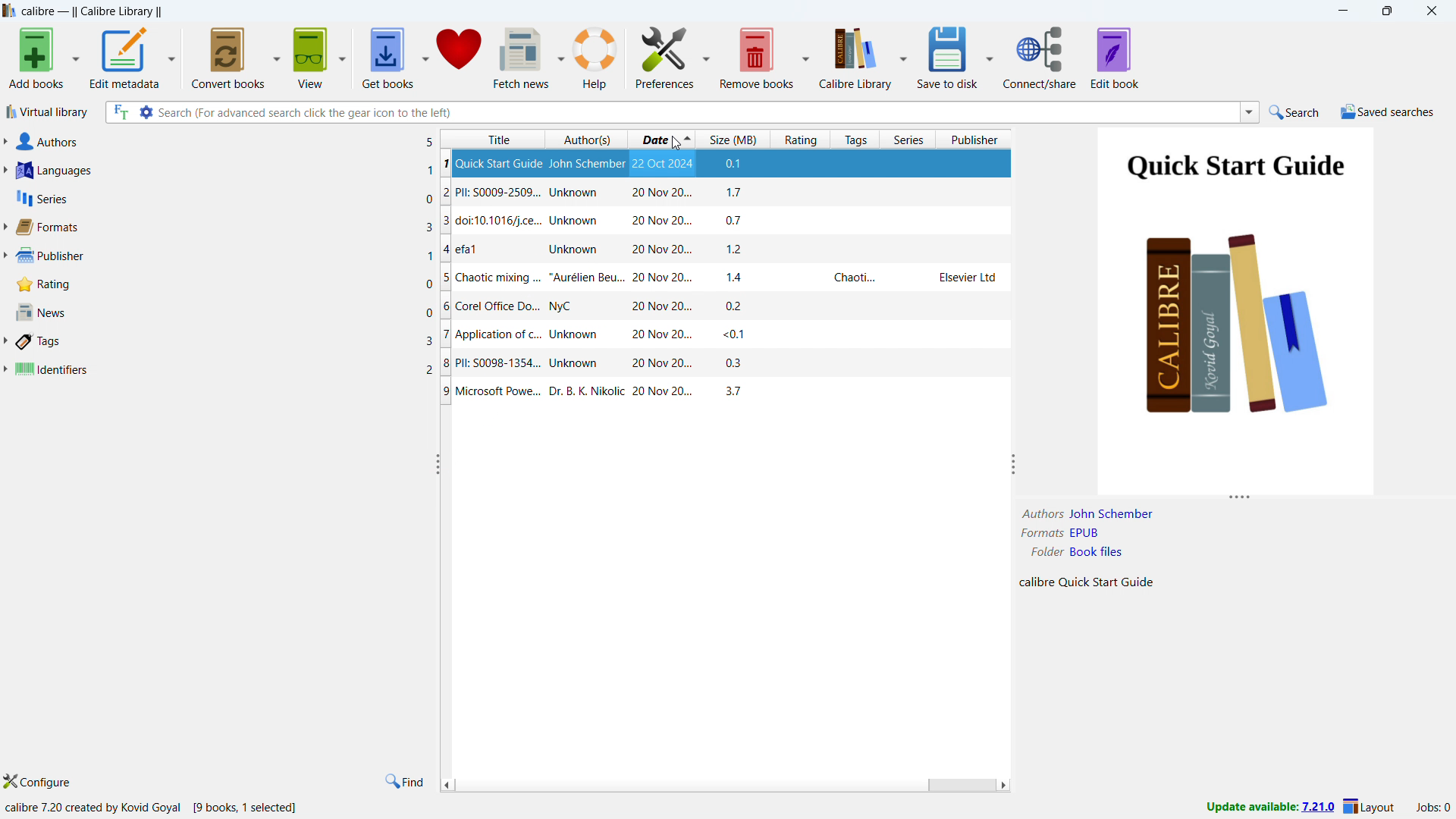 This screenshot has height=819, width=1456. Describe the element at coordinates (904, 55) in the screenshot. I see `calibre library options` at that location.